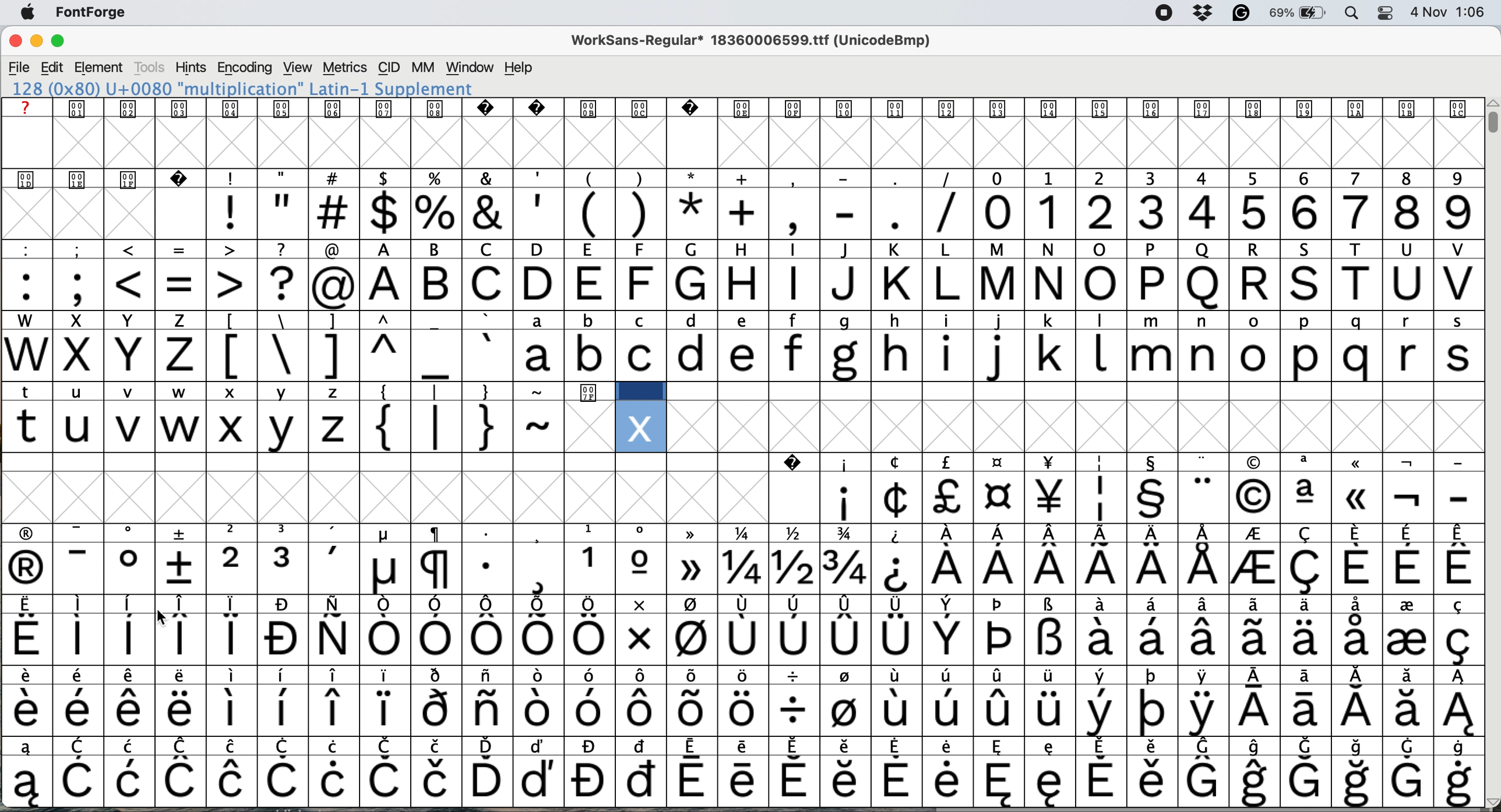 This screenshot has width=1501, height=812. Describe the element at coordinates (1144, 498) in the screenshot. I see `special characters` at that location.